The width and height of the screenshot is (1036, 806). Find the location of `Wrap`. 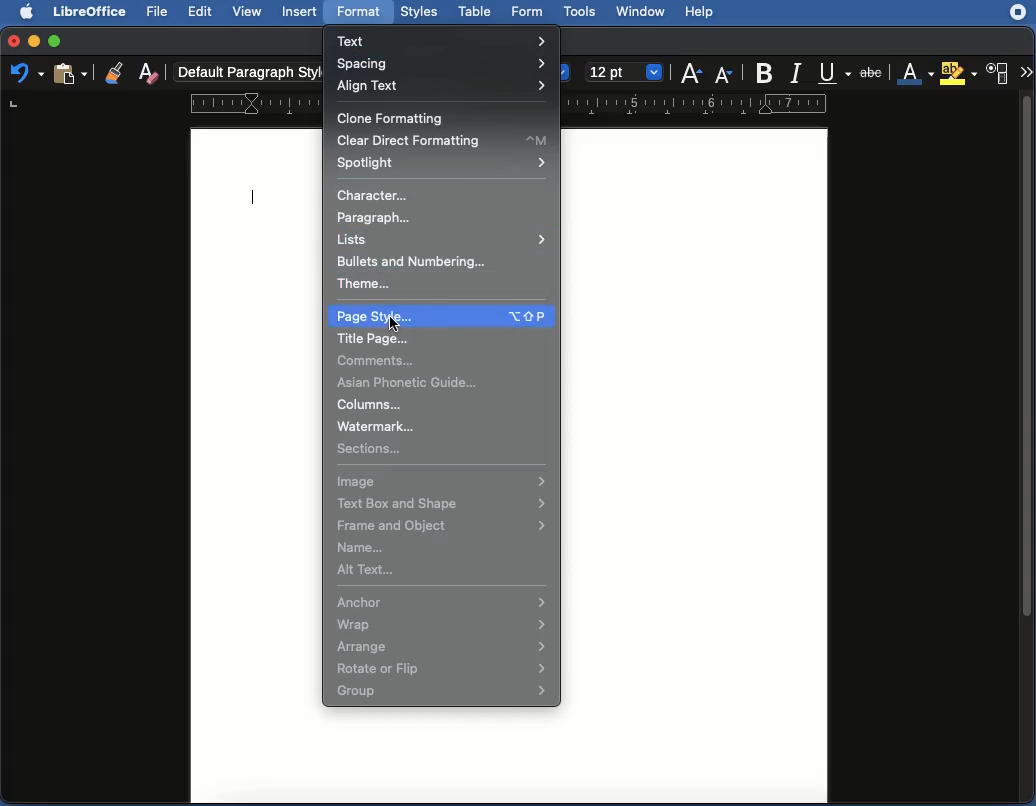

Wrap is located at coordinates (441, 624).